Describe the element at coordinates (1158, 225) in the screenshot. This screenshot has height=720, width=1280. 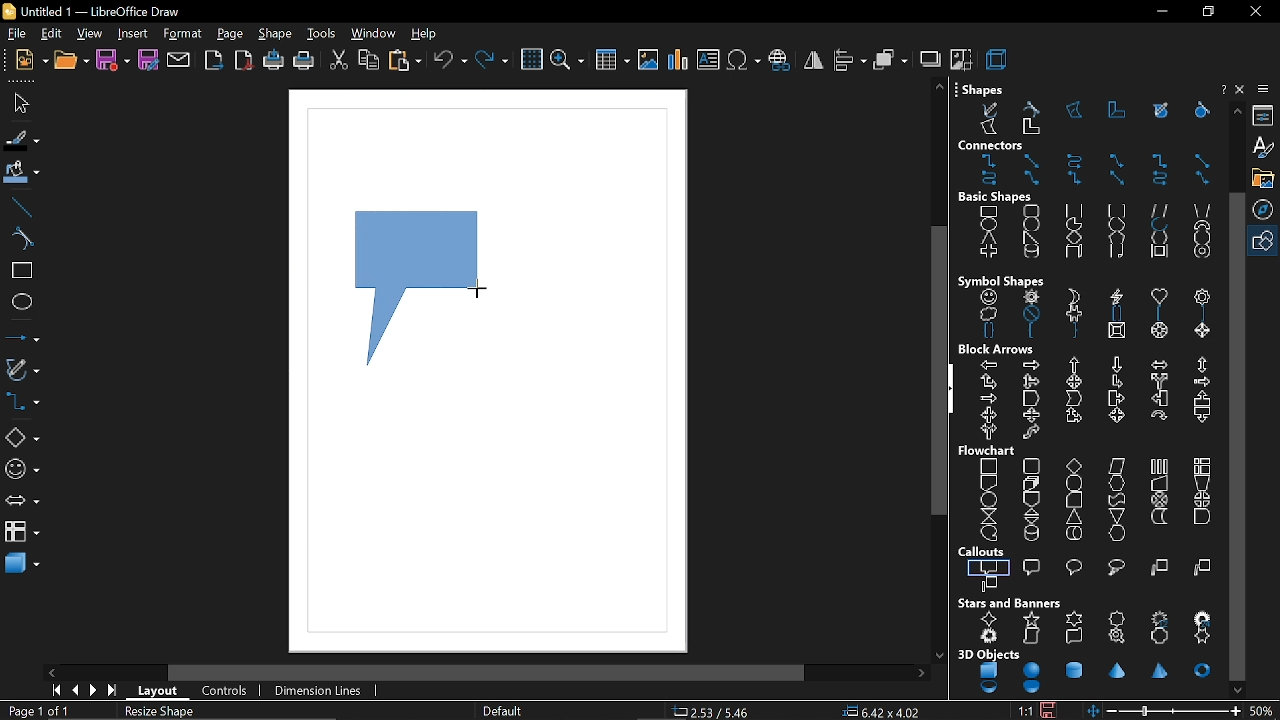
I see `arc` at that location.